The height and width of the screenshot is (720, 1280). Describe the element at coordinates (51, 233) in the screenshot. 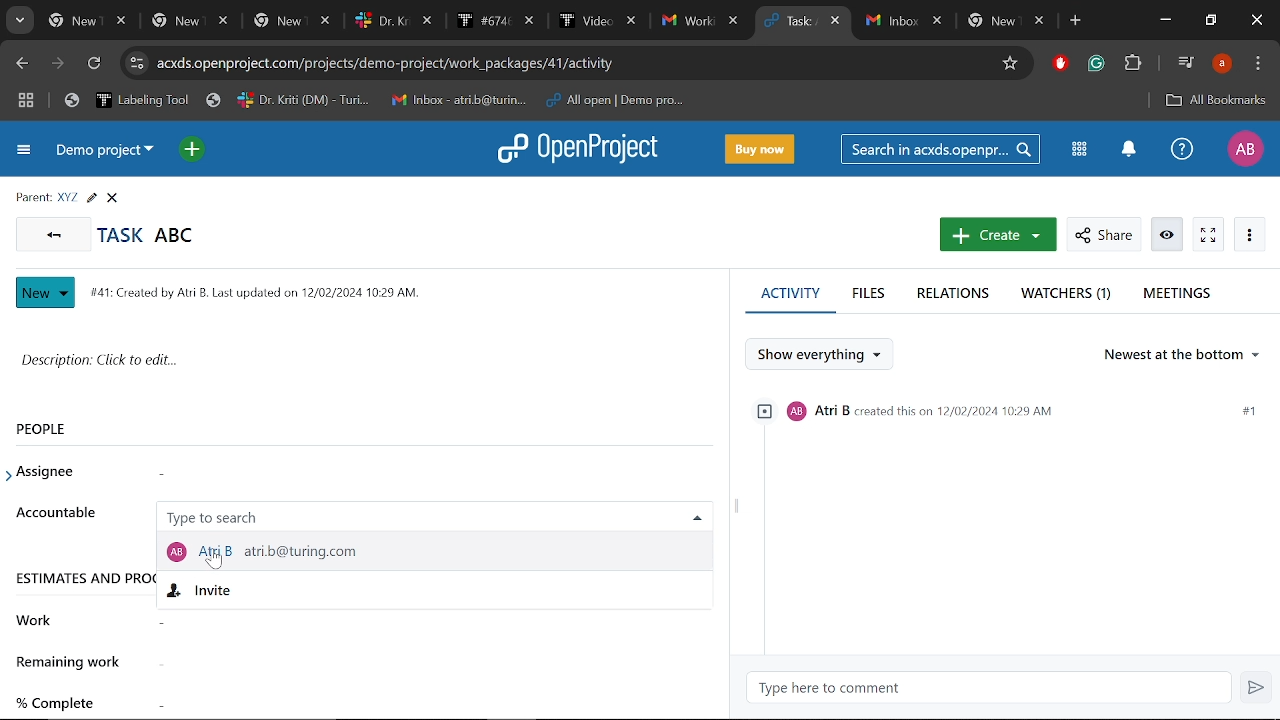

I see `Go back` at that location.